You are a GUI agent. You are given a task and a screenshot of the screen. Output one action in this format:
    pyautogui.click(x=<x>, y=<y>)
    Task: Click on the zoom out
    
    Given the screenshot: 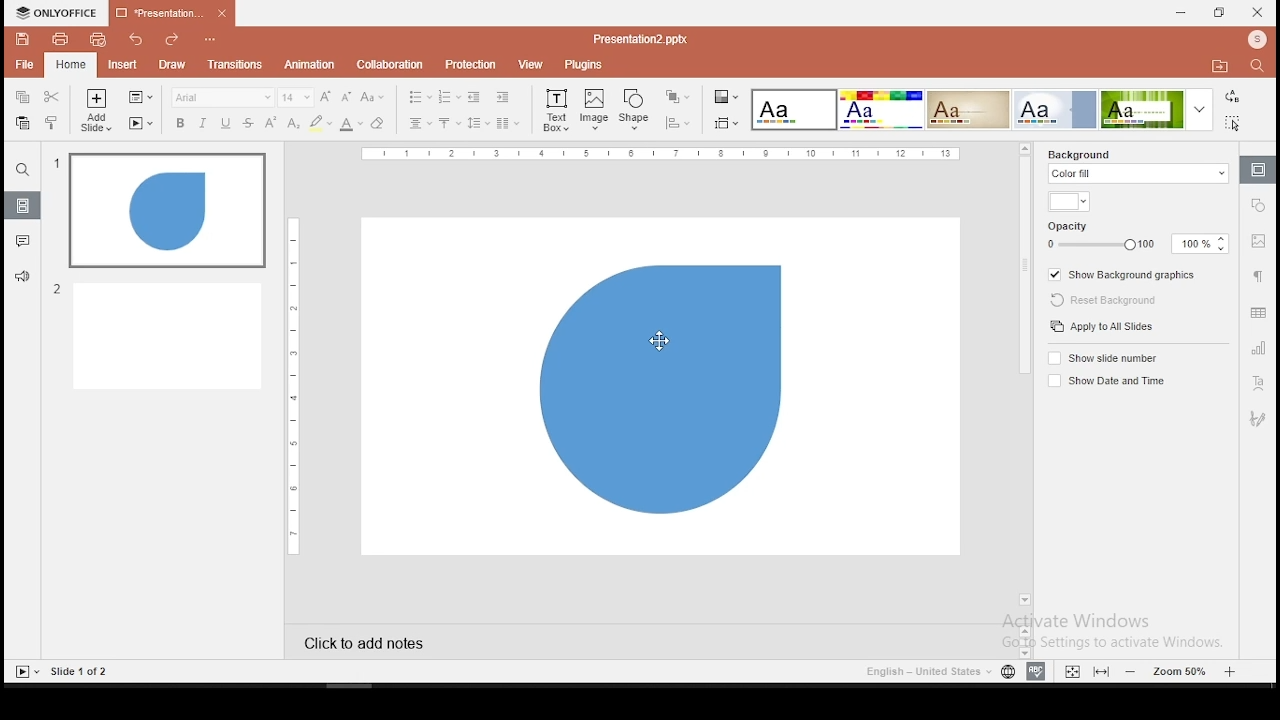 What is the action you would take?
    pyautogui.click(x=1232, y=671)
    